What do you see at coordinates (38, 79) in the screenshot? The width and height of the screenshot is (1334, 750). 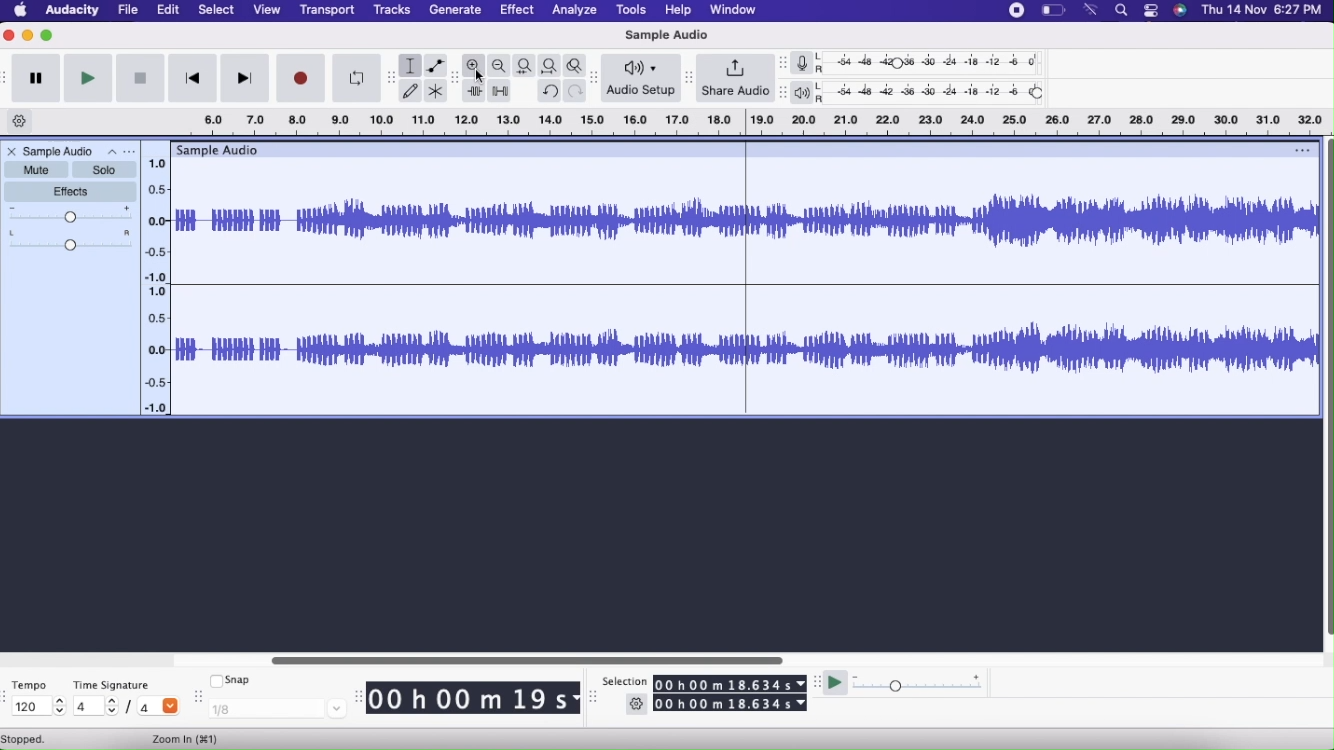 I see `Pause` at bounding box center [38, 79].